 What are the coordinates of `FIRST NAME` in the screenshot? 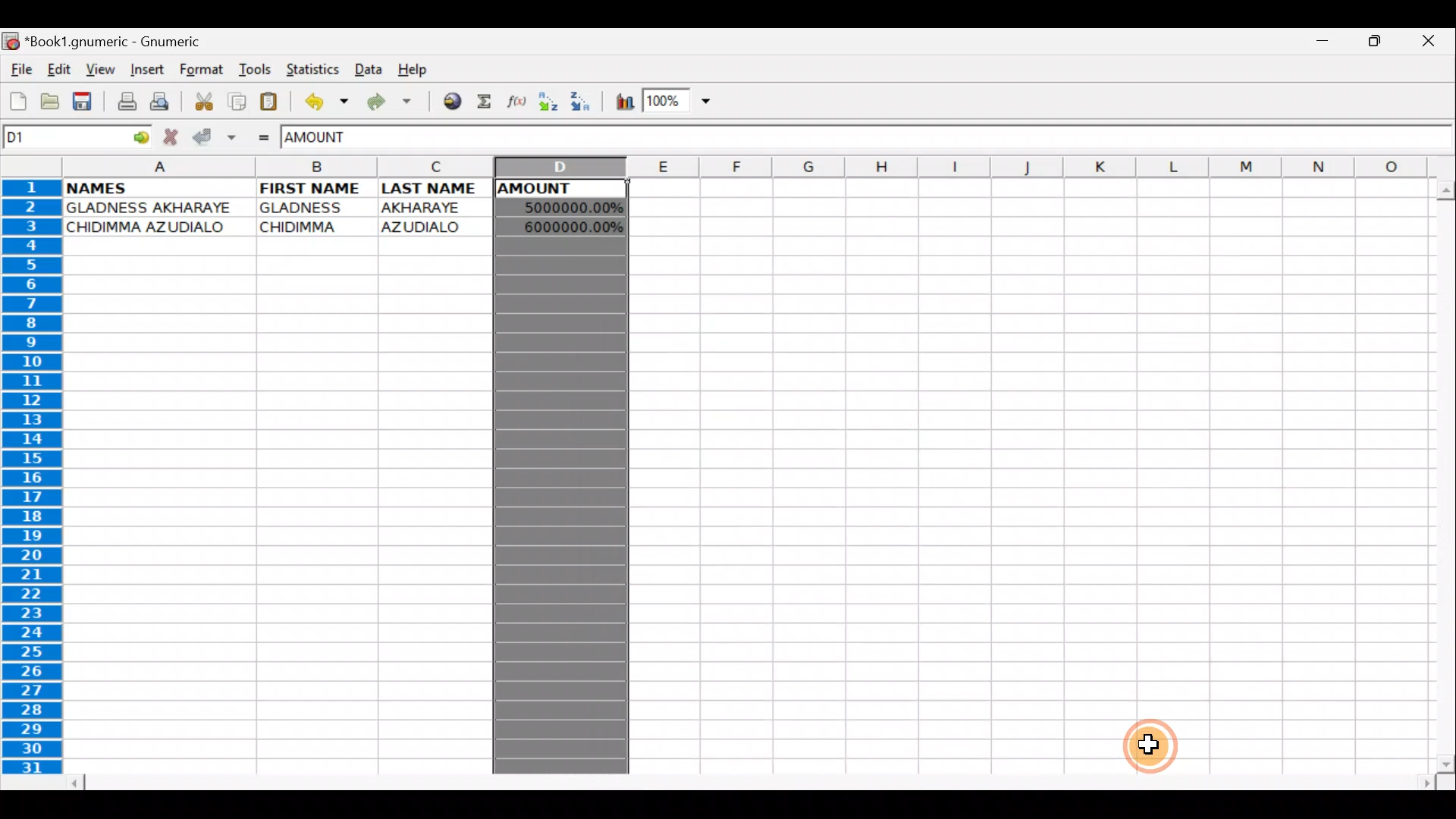 It's located at (313, 188).